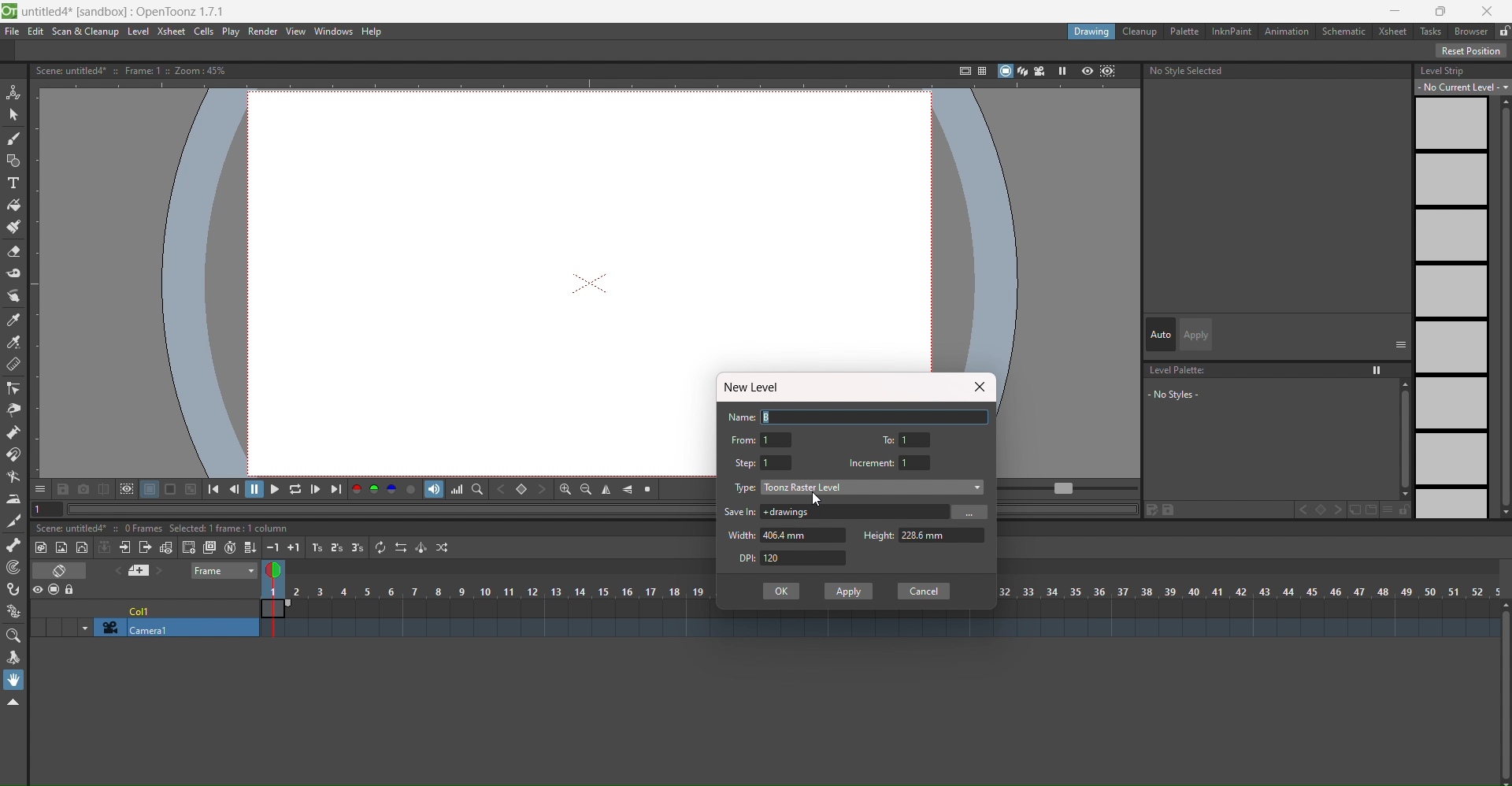  Describe the element at coordinates (821, 501) in the screenshot. I see `cursor` at that location.